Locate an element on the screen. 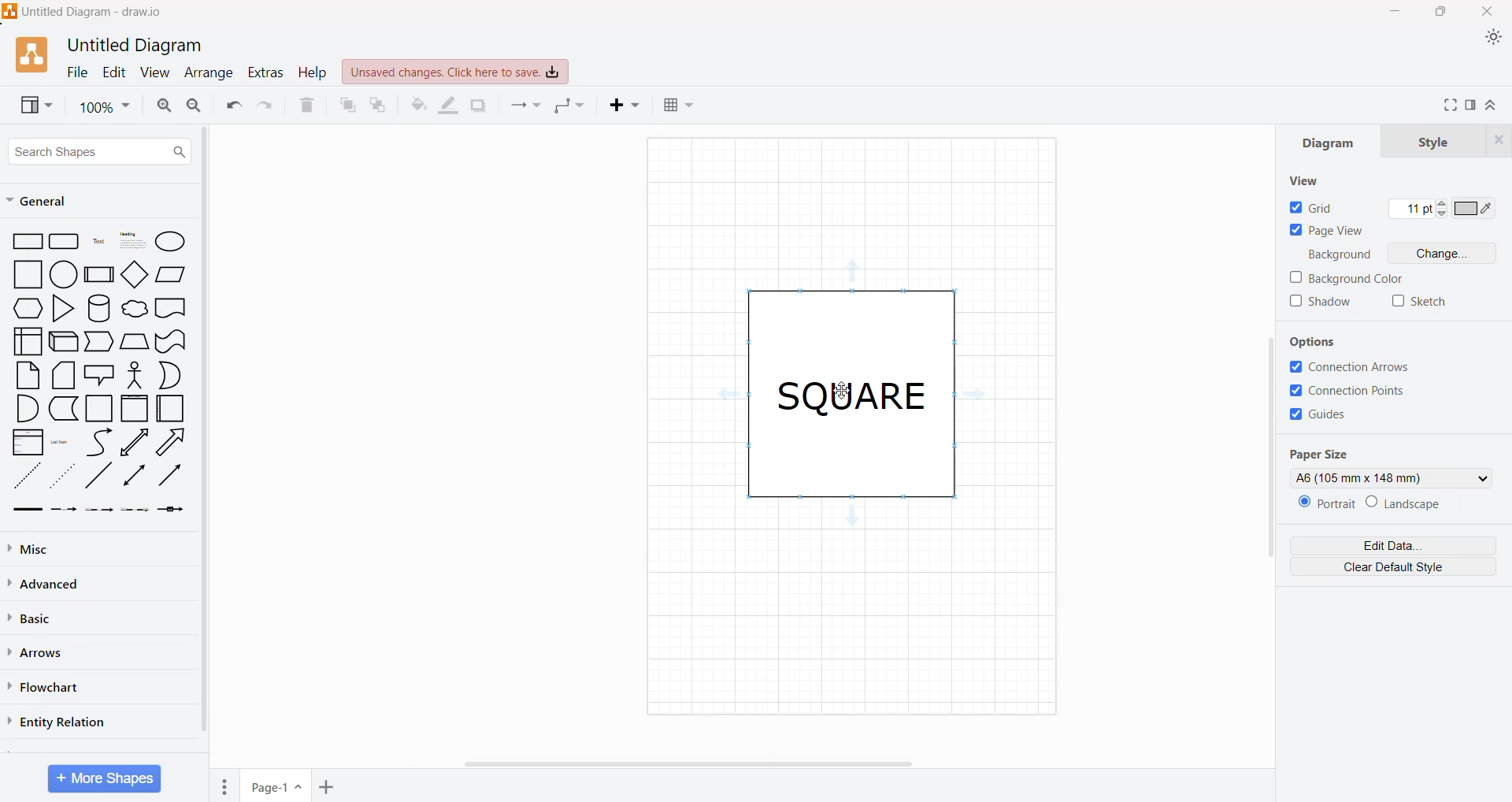 This screenshot has height=802, width=1512. Zoom Out is located at coordinates (195, 106).